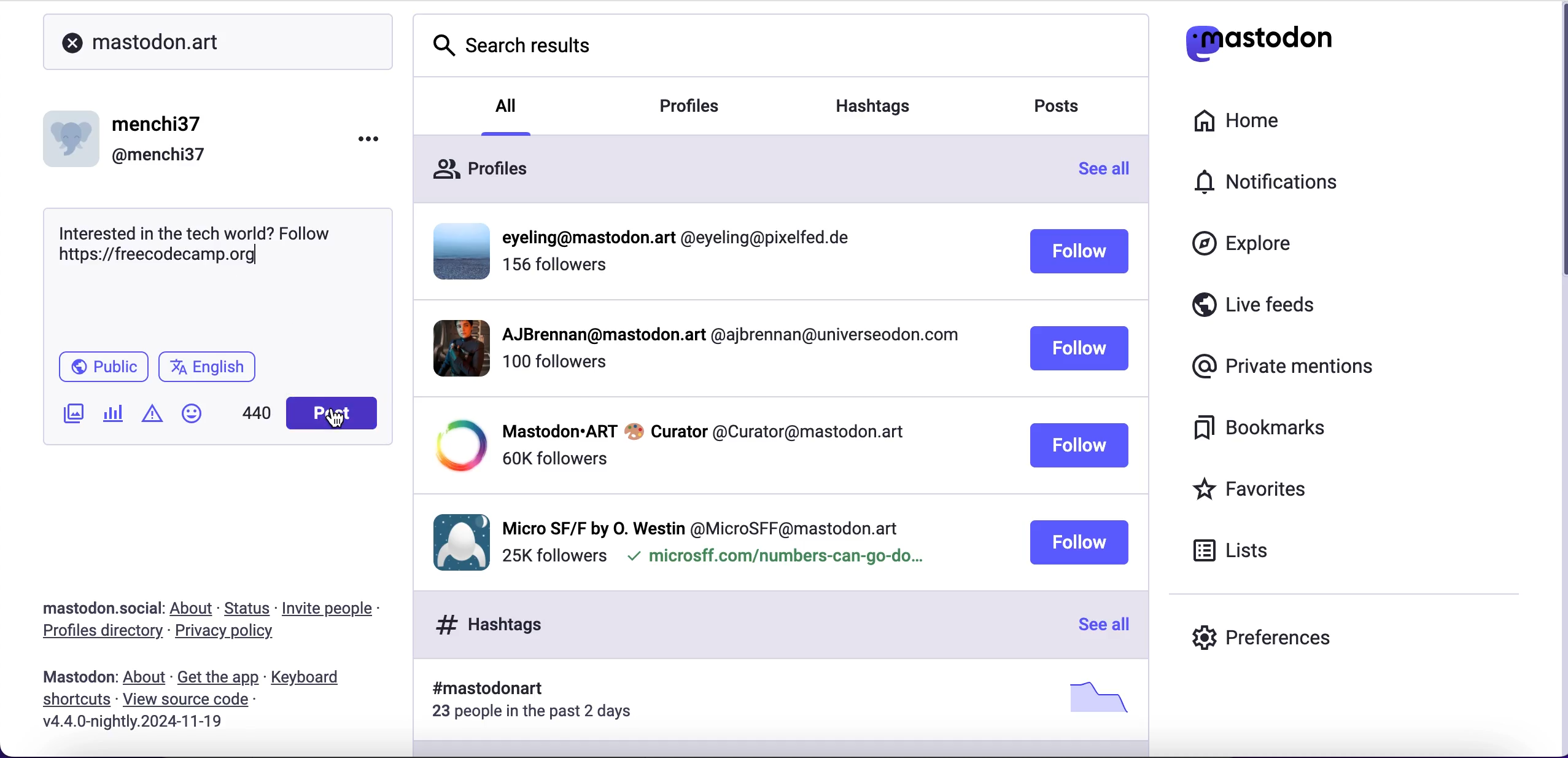  Describe the element at coordinates (74, 677) in the screenshot. I see `mastodon` at that location.